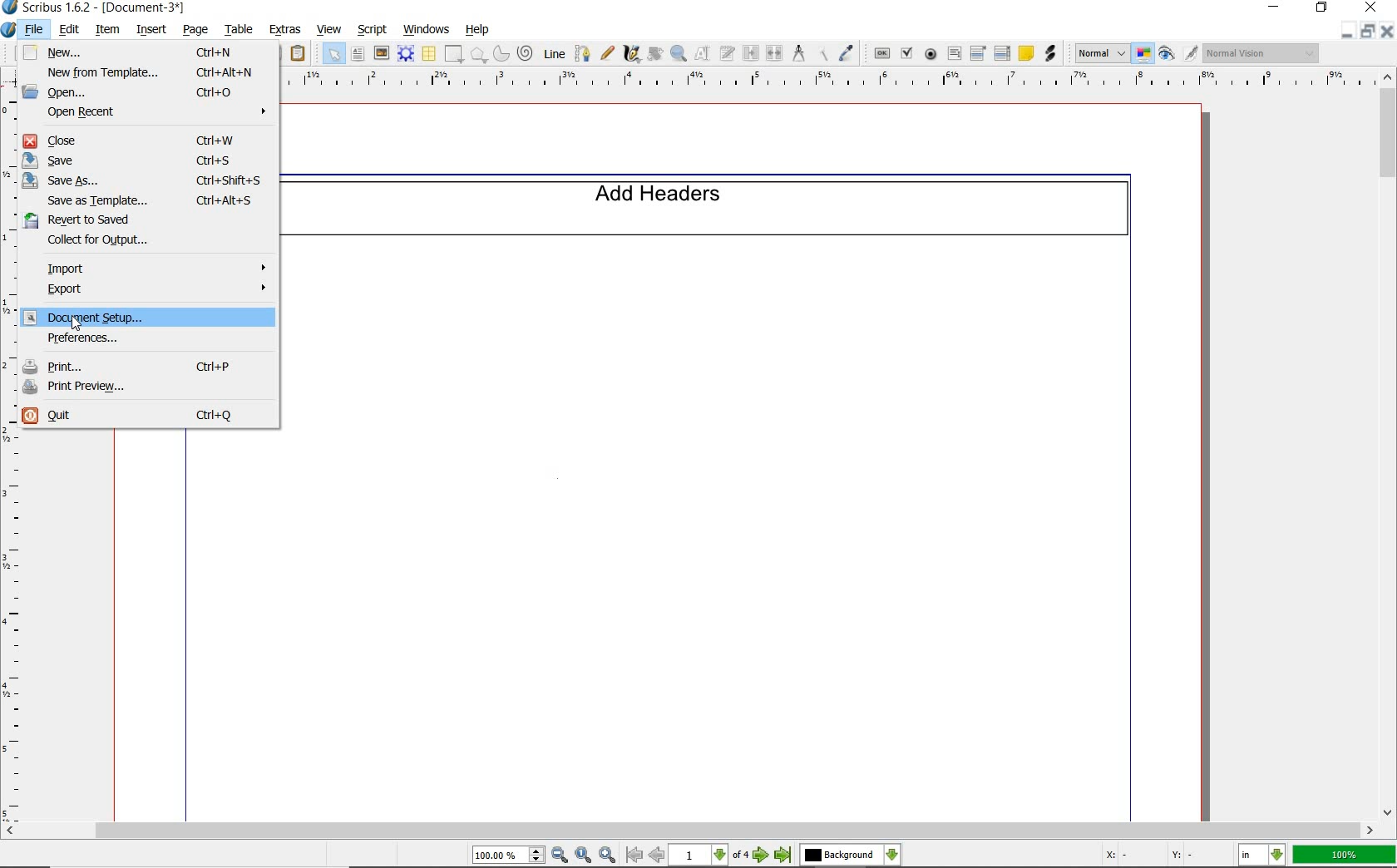  I want to click on toggle color management, so click(1143, 54).